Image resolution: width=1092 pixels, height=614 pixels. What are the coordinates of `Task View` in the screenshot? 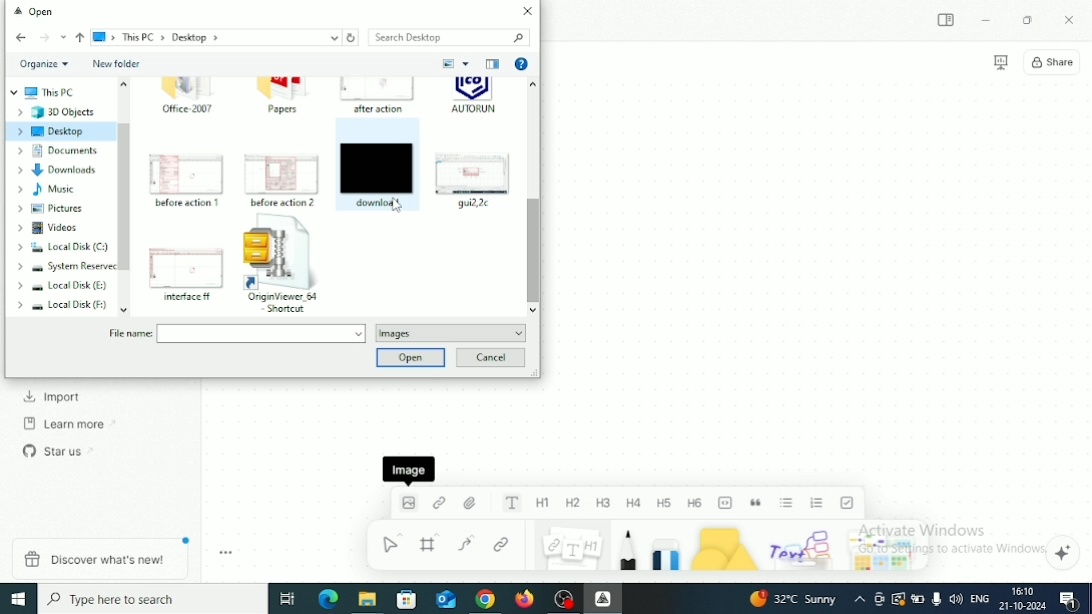 It's located at (287, 599).